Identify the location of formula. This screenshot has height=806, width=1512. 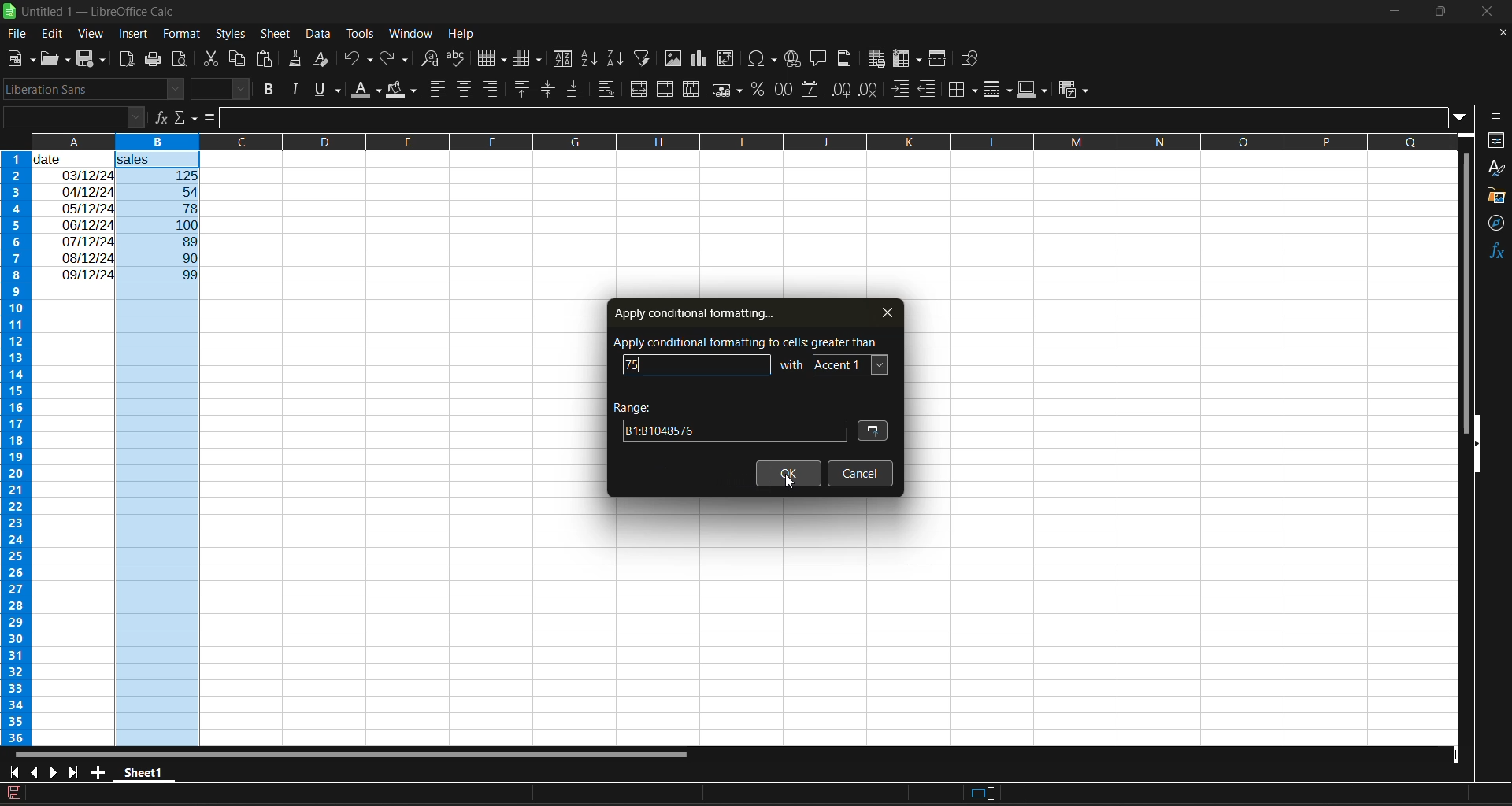
(213, 119).